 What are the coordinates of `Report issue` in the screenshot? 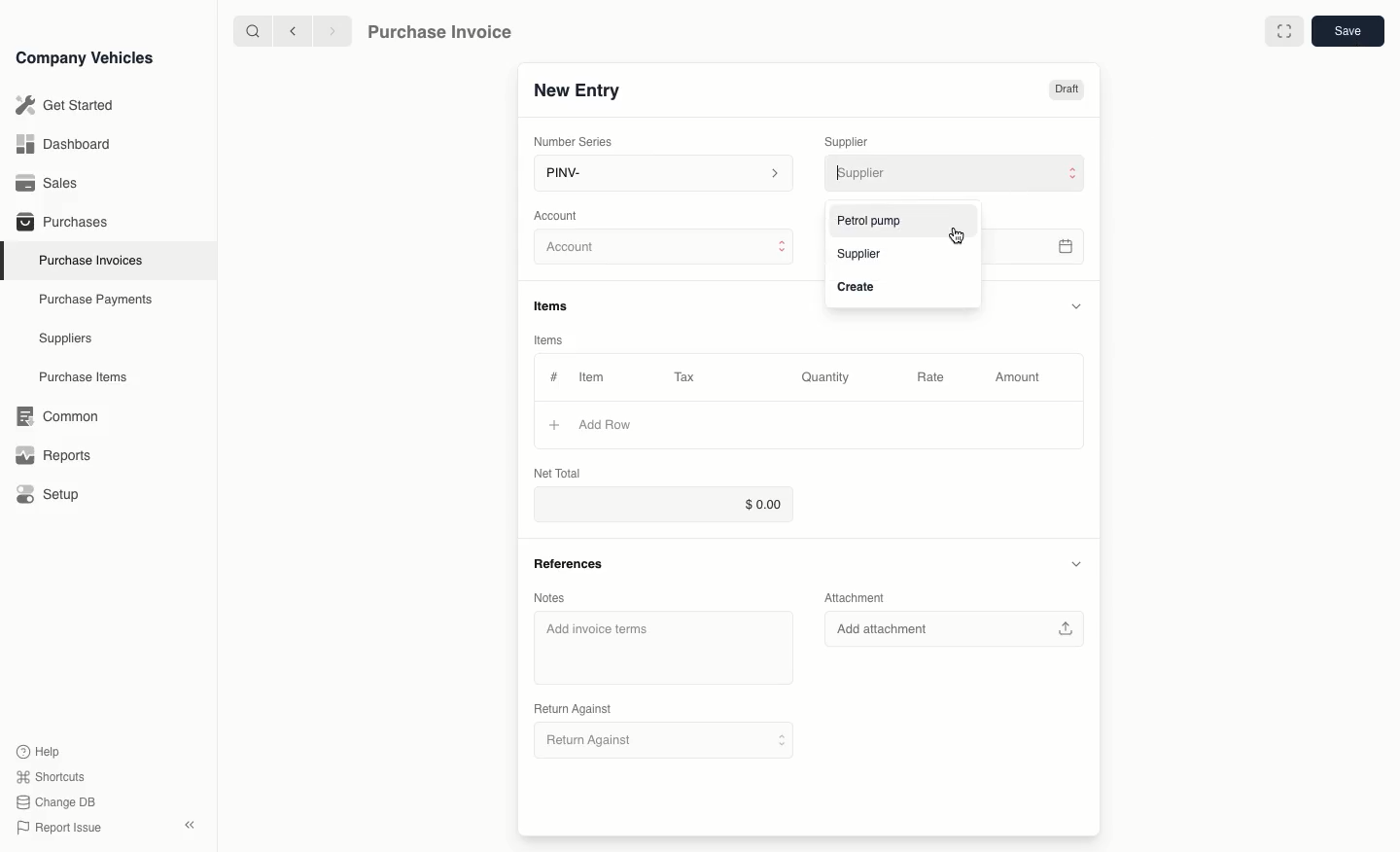 It's located at (62, 829).